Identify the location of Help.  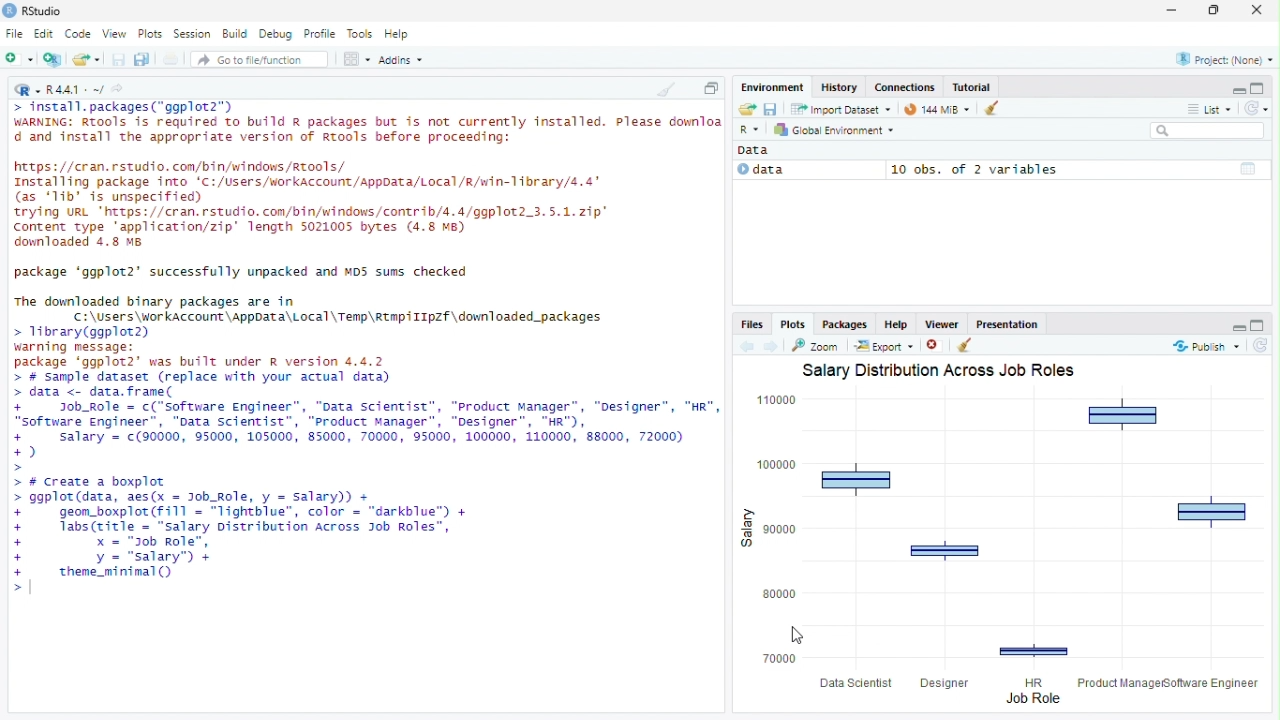
(398, 35).